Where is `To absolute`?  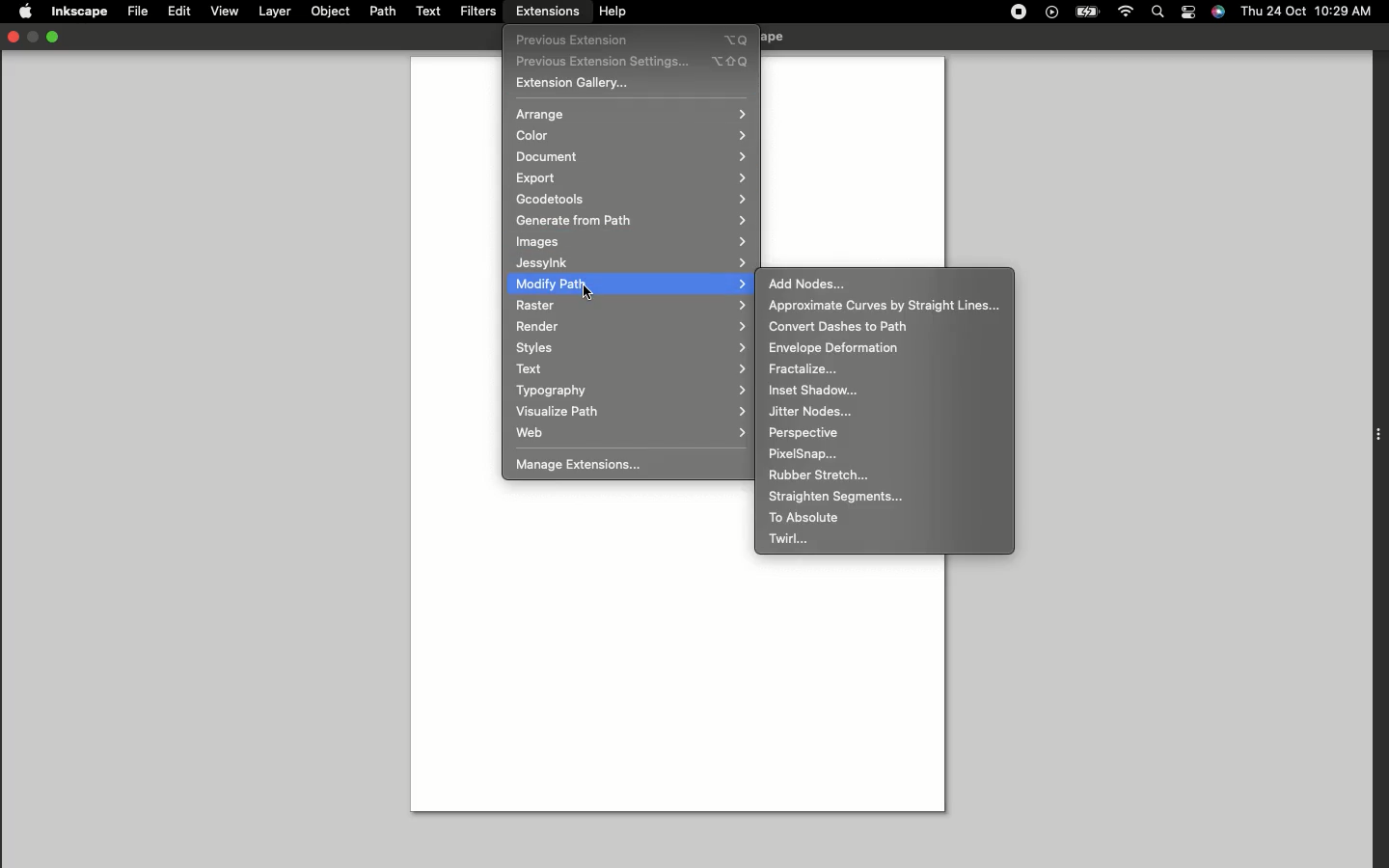 To absolute is located at coordinates (805, 518).